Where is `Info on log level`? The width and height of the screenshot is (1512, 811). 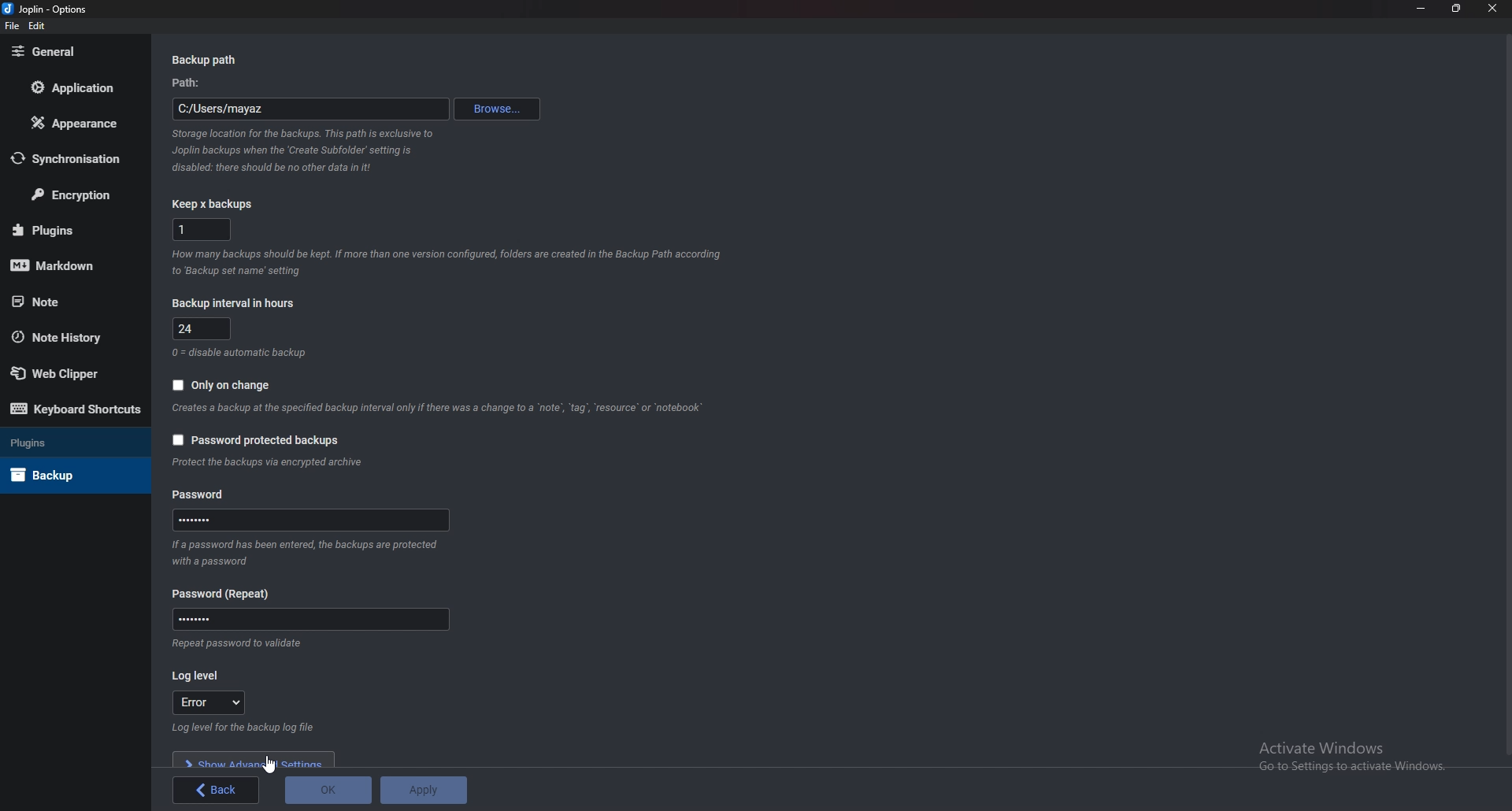 Info on log level is located at coordinates (239, 728).